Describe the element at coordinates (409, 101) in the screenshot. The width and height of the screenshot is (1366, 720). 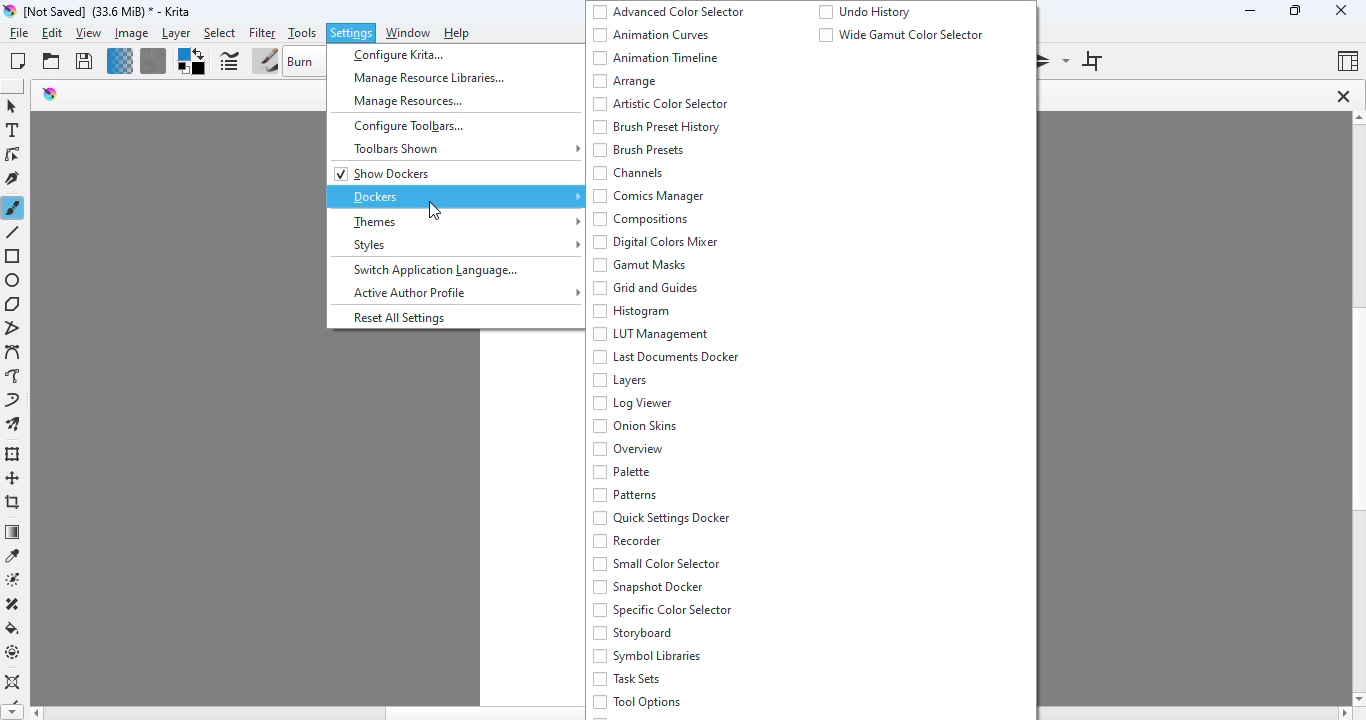
I see `manage resources` at that location.